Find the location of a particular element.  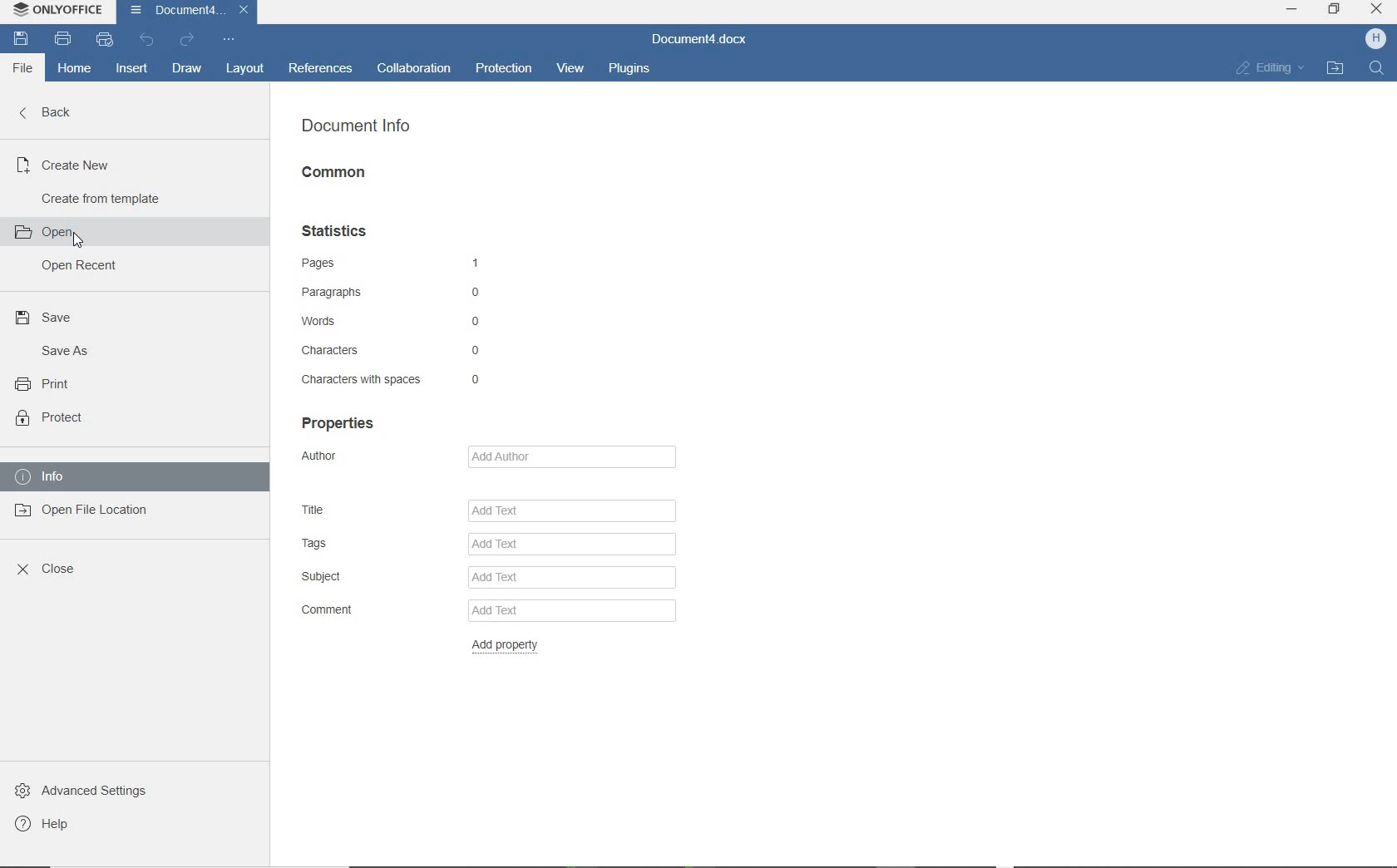

cursor is located at coordinates (73, 240).